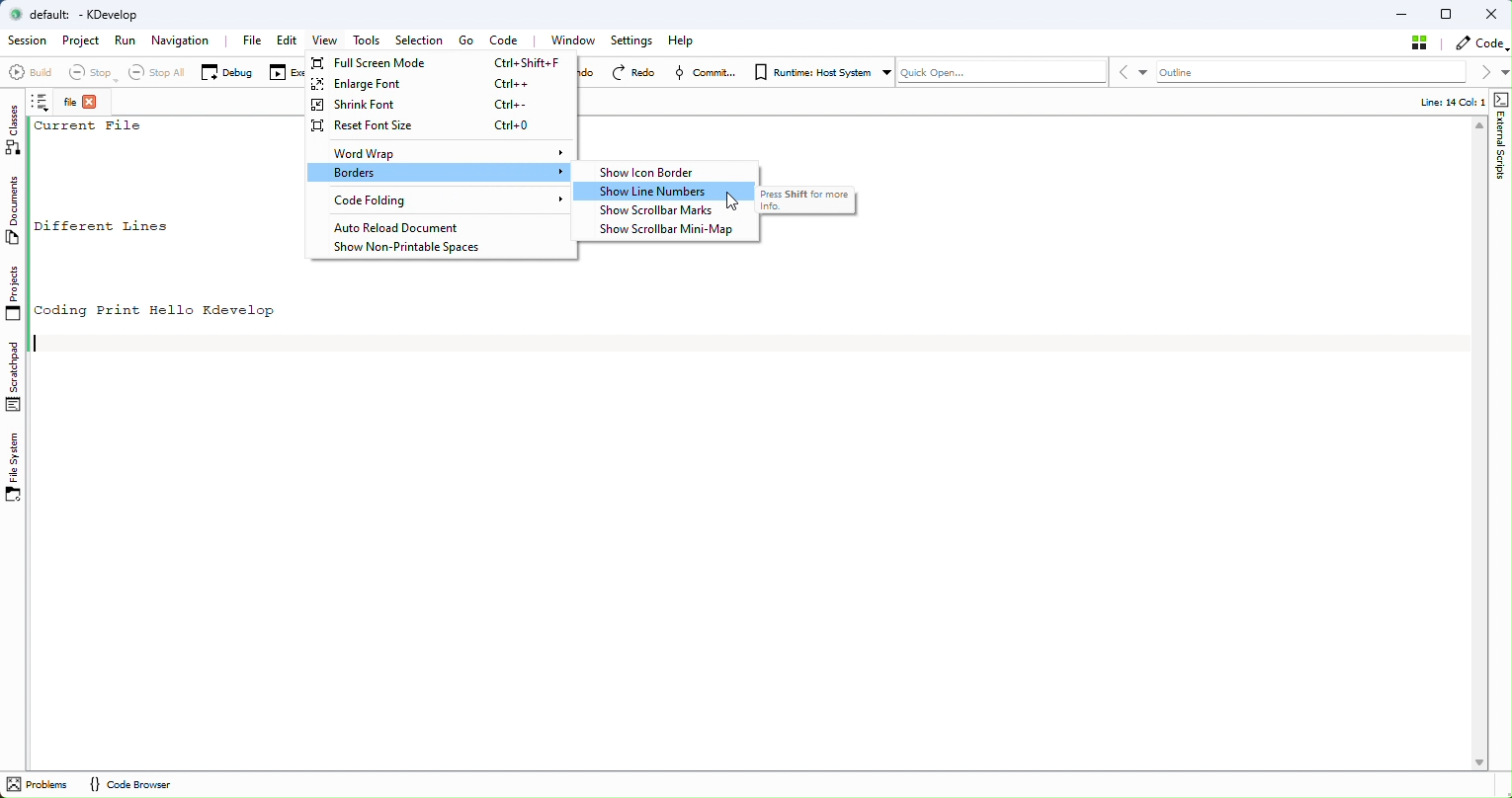 Image resolution: width=1512 pixels, height=798 pixels. Describe the element at coordinates (1449, 14) in the screenshot. I see `Box` at that location.